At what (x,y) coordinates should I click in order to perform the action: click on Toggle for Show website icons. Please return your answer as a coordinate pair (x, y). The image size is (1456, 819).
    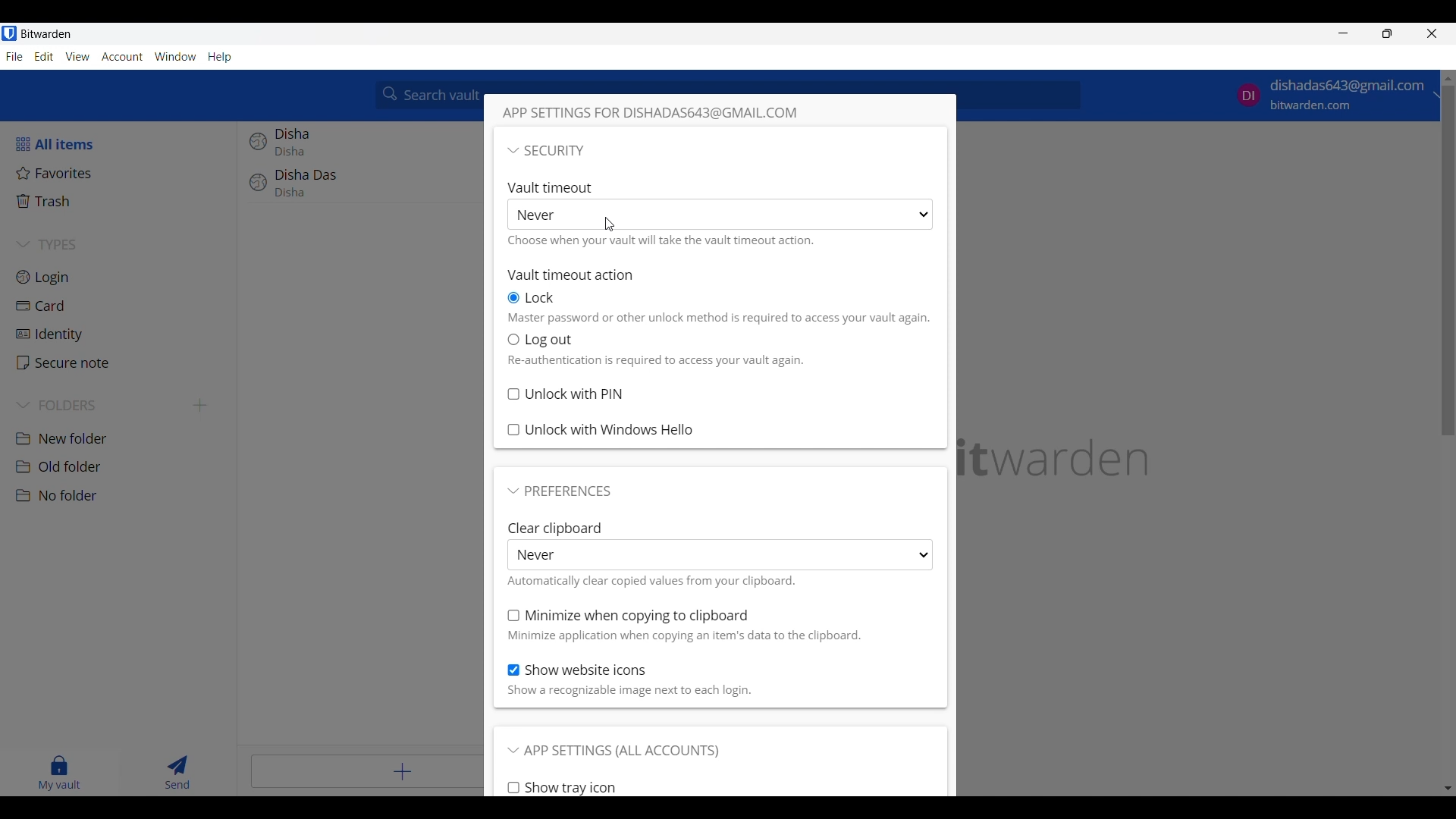
    Looking at the image, I should click on (578, 670).